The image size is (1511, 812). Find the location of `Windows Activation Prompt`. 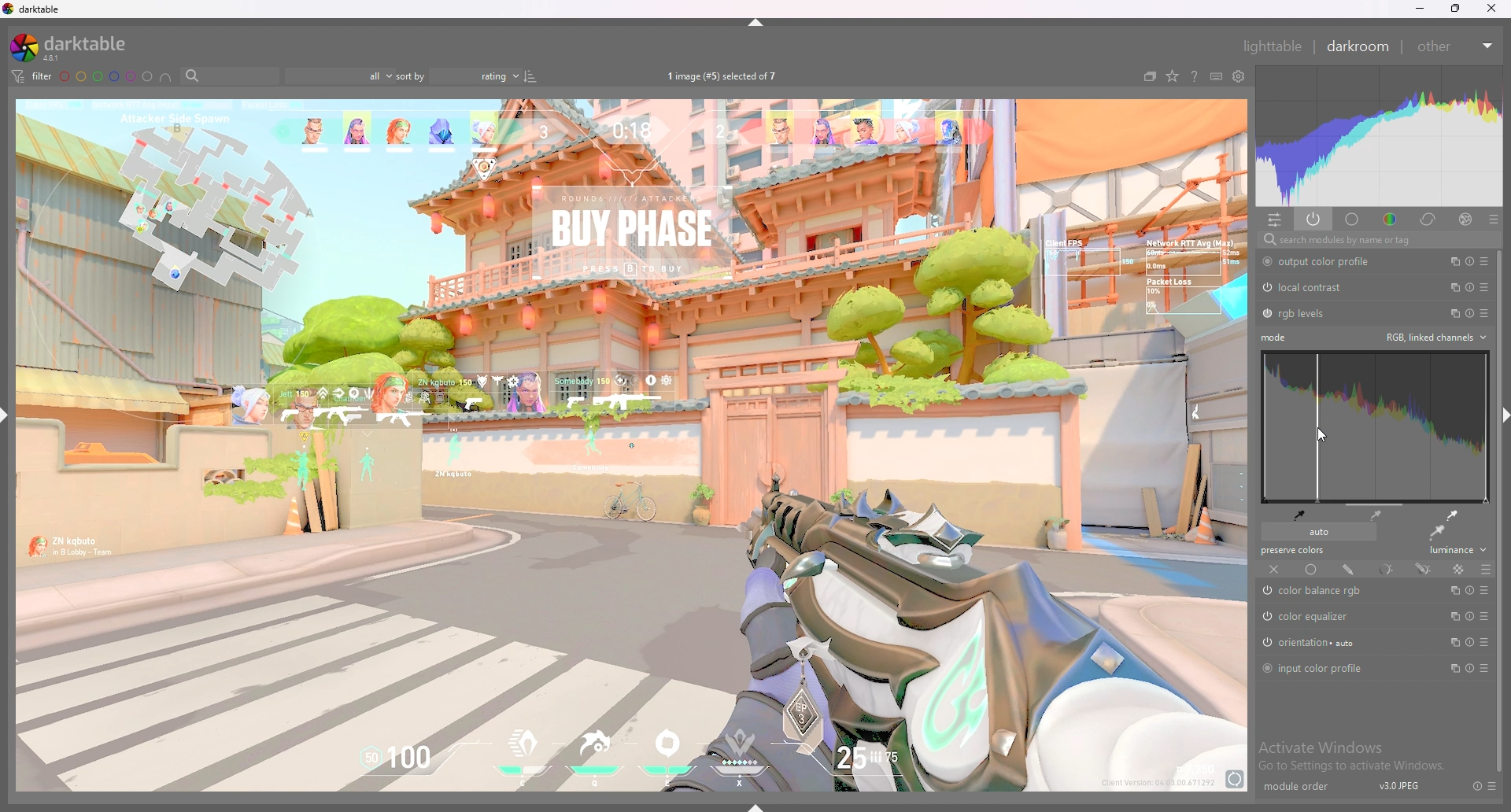

Windows Activation Prompt is located at coordinates (1356, 755).